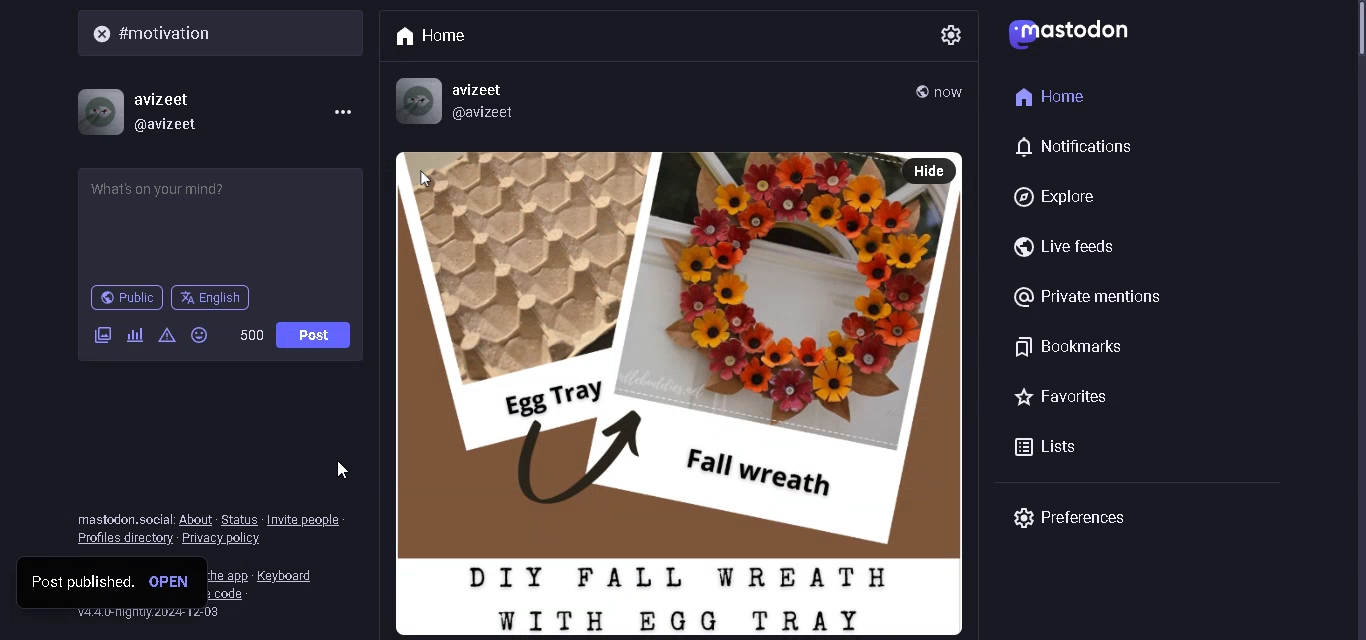  Describe the element at coordinates (1058, 397) in the screenshot. I see `favorites` at that location.